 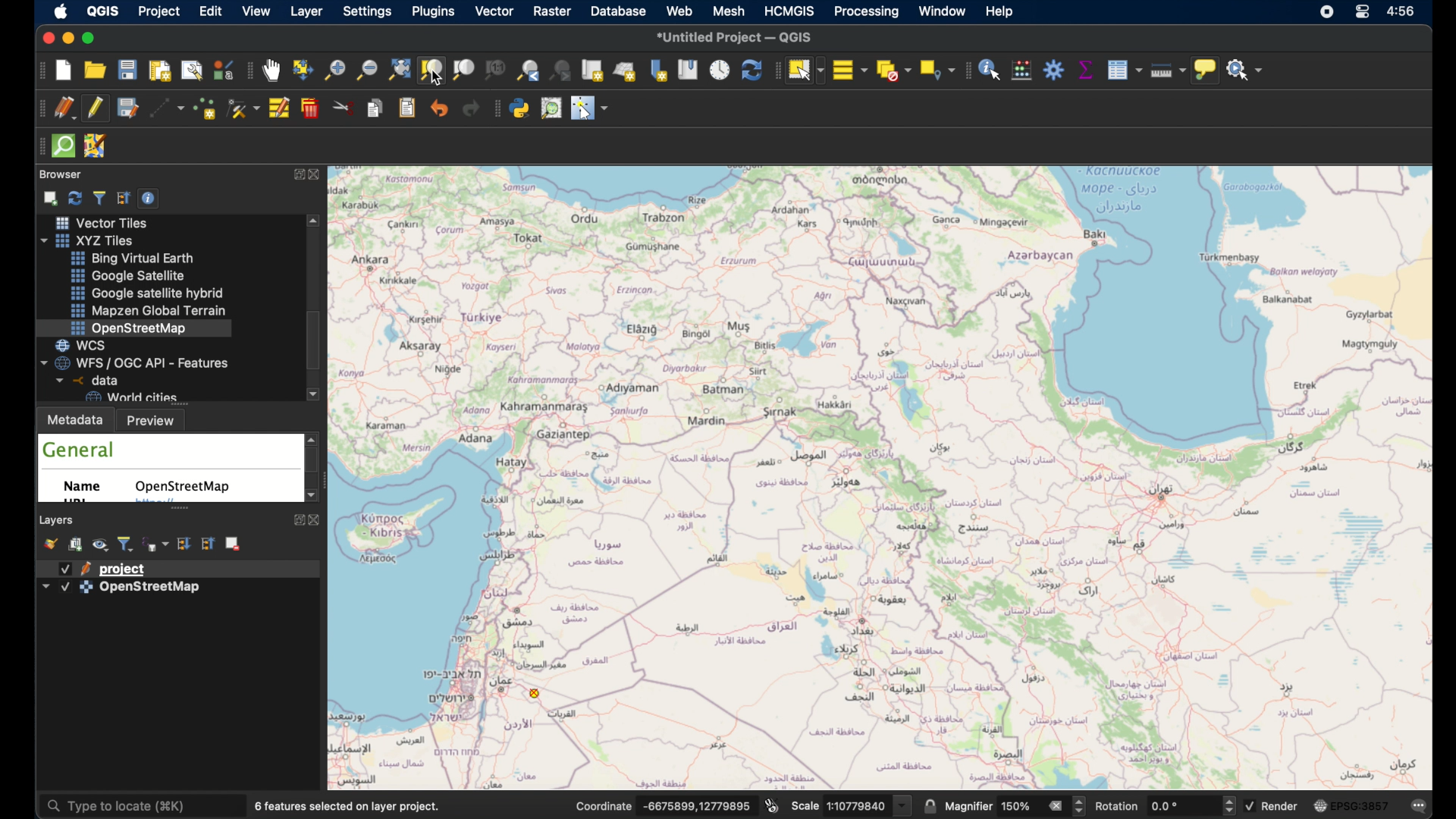 I want to click on remove layer/group, so click(x=235, y=544).